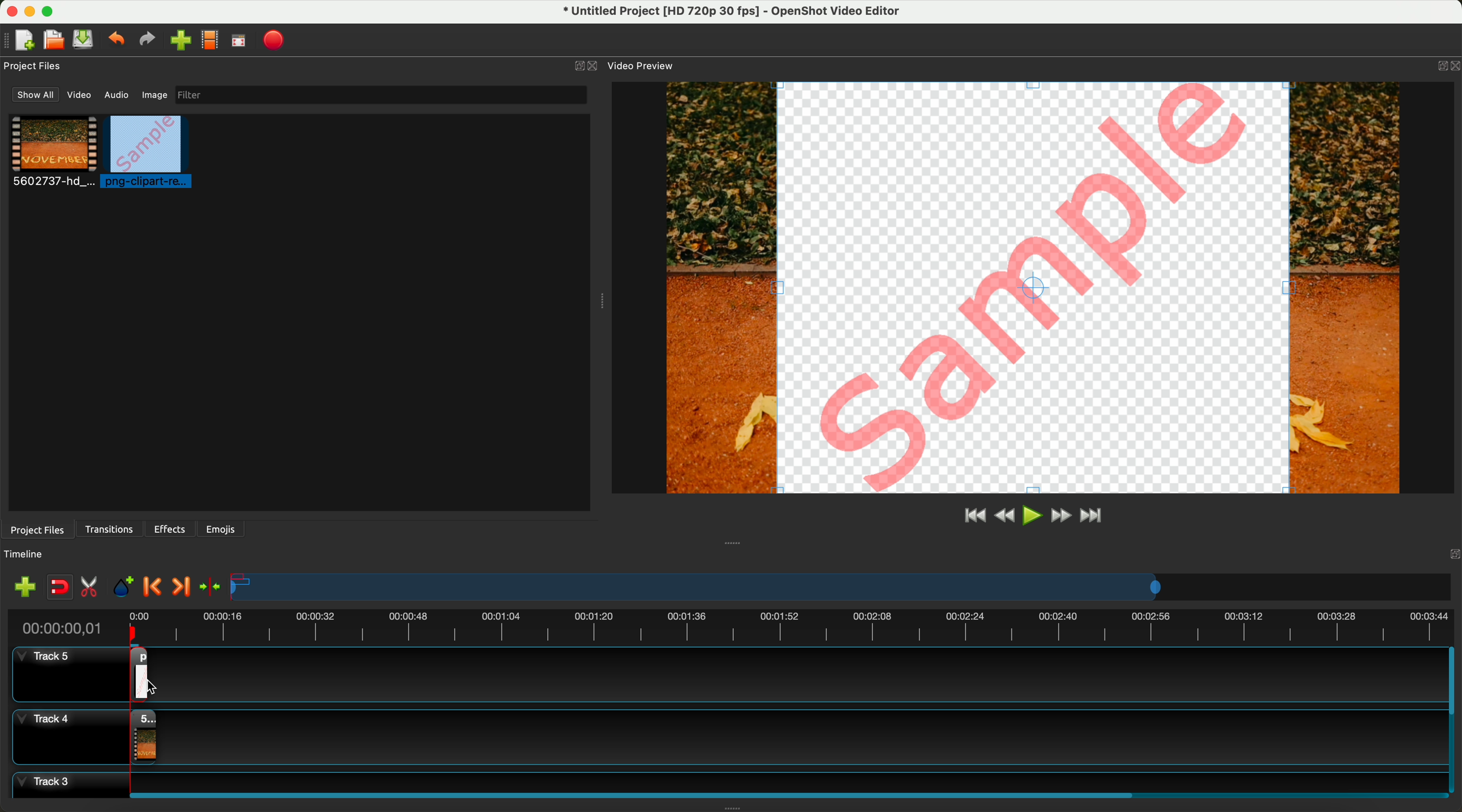  I want to click on Window Expanding, so click(599, 302).